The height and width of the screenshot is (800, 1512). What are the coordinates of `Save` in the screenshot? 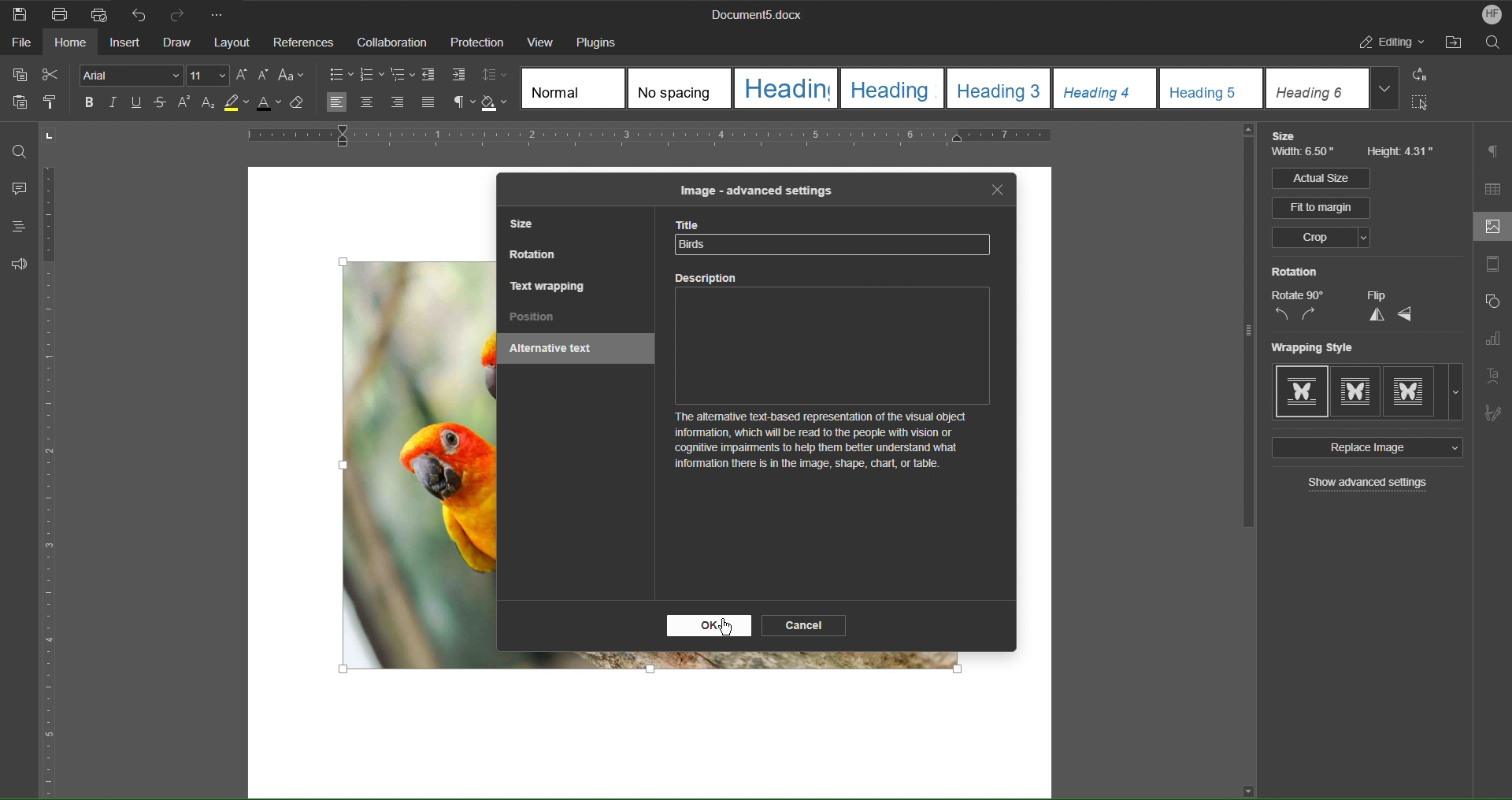 It's located at (20, 13).